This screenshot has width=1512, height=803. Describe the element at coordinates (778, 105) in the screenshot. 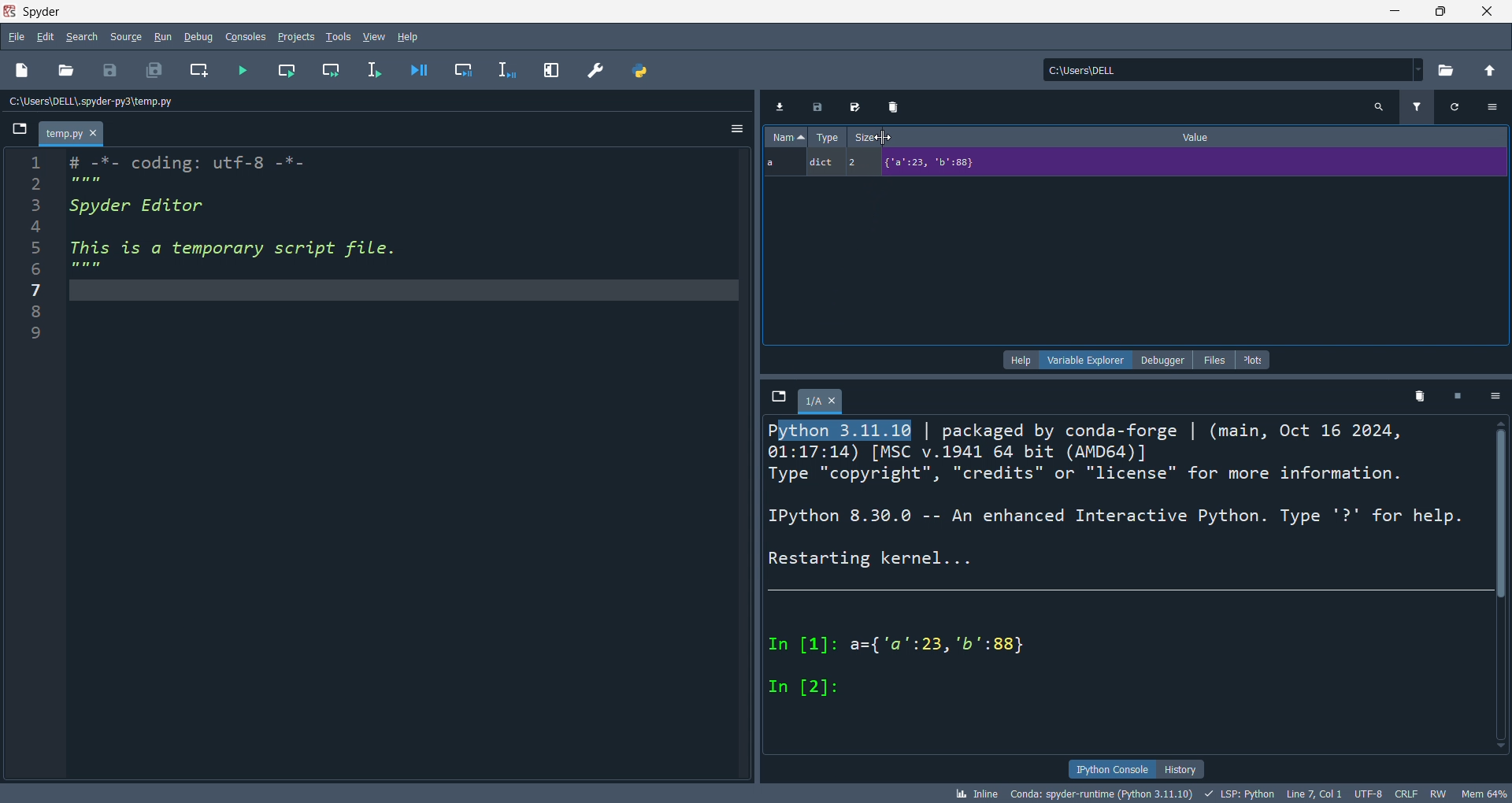

I see `import data` at that location.